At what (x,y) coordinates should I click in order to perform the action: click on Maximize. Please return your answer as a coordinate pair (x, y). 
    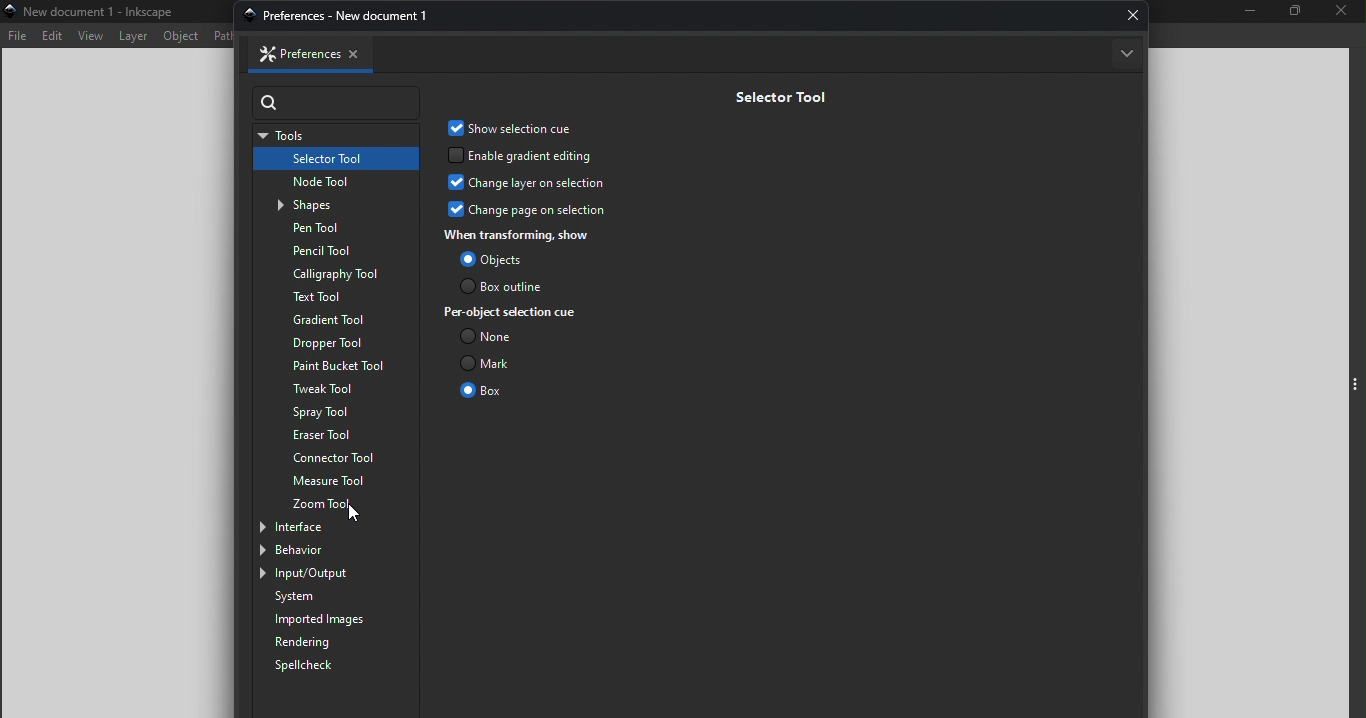
    Looking at the image, I should click on (1293, 14).